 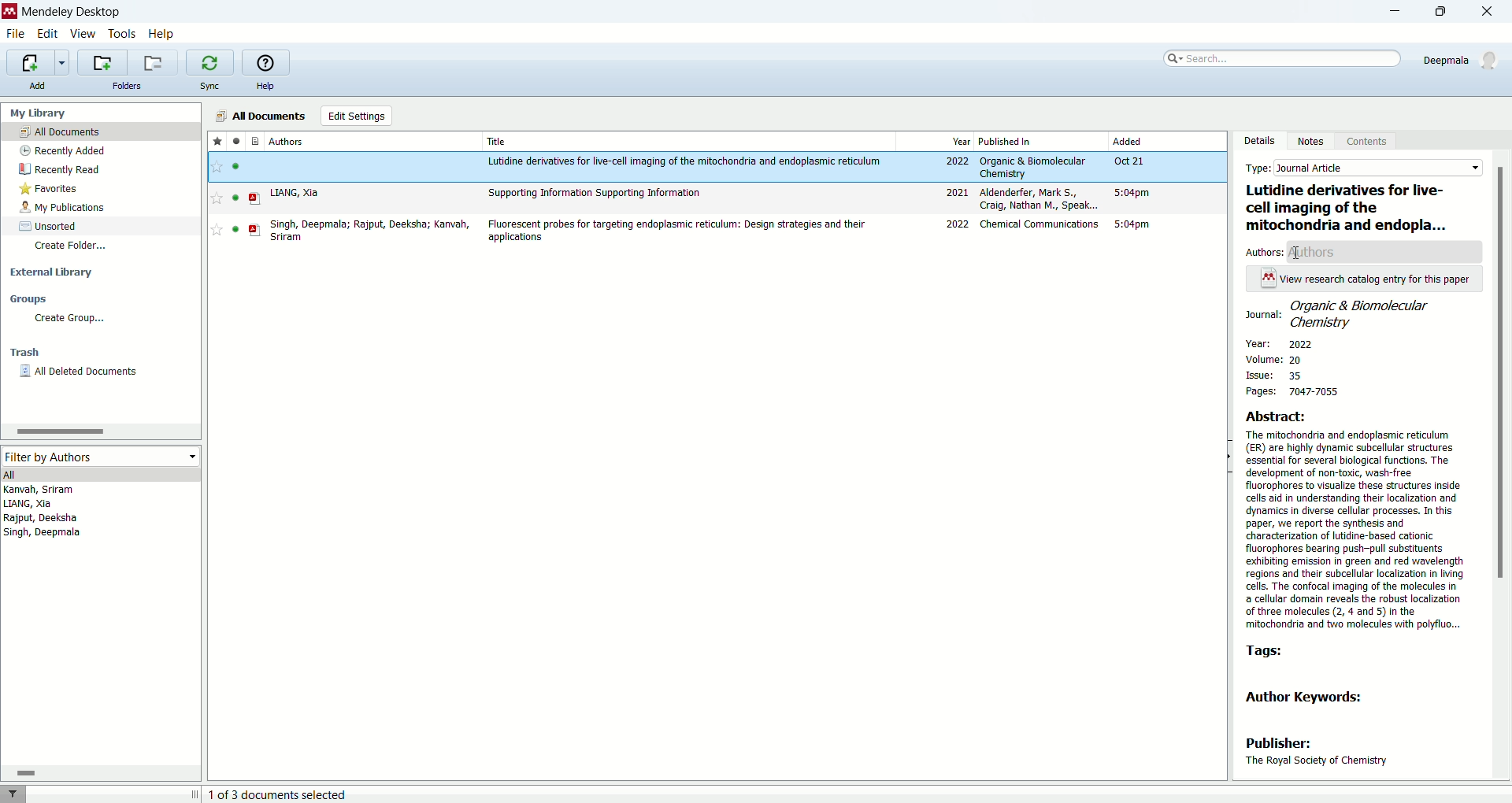 I want to click on Lutidine derivatives for live-cell imaging of the mitochondria and edoplasmic reticulum, so click(x=687, y=161).